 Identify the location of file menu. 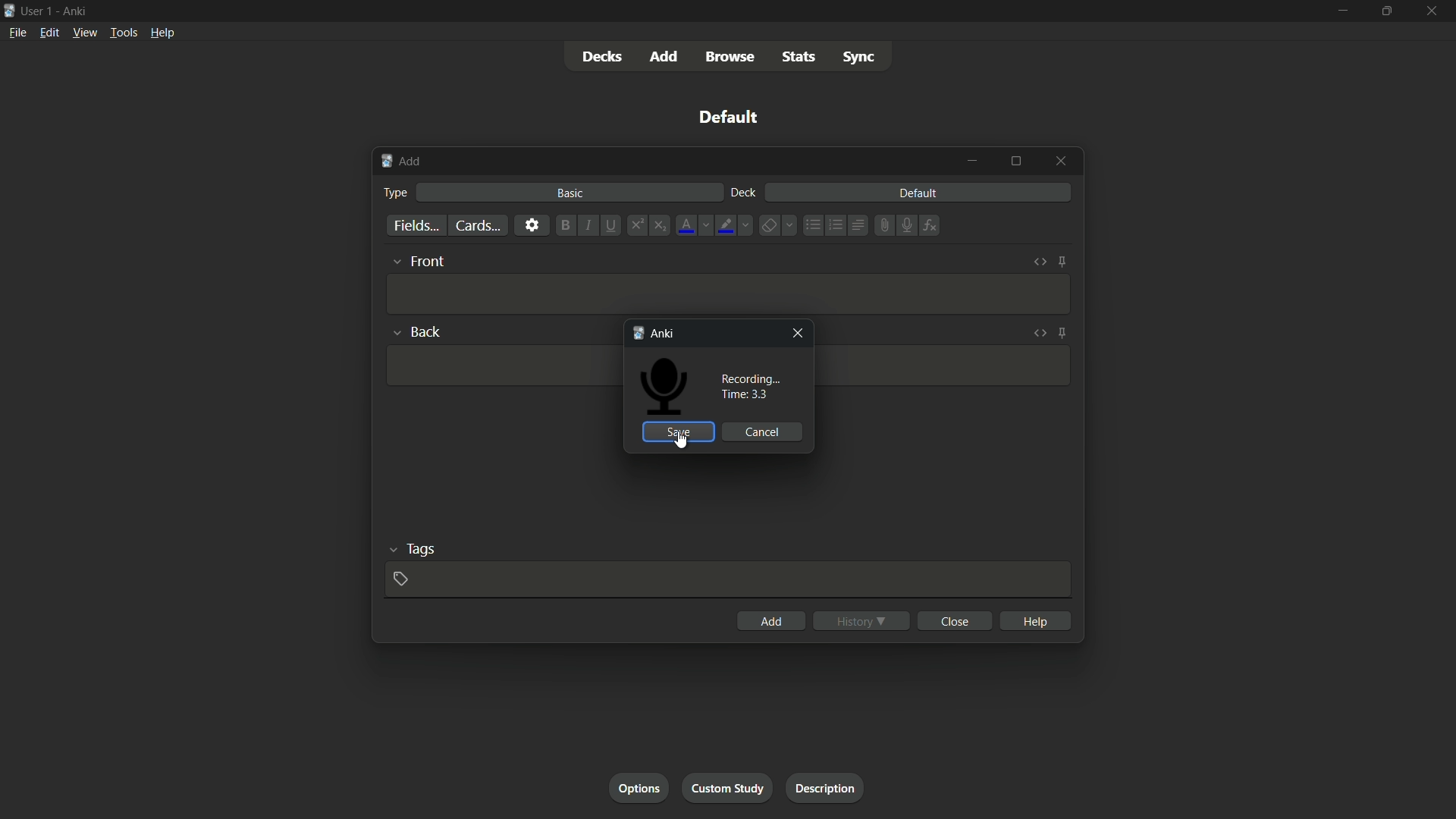
(18, 32).